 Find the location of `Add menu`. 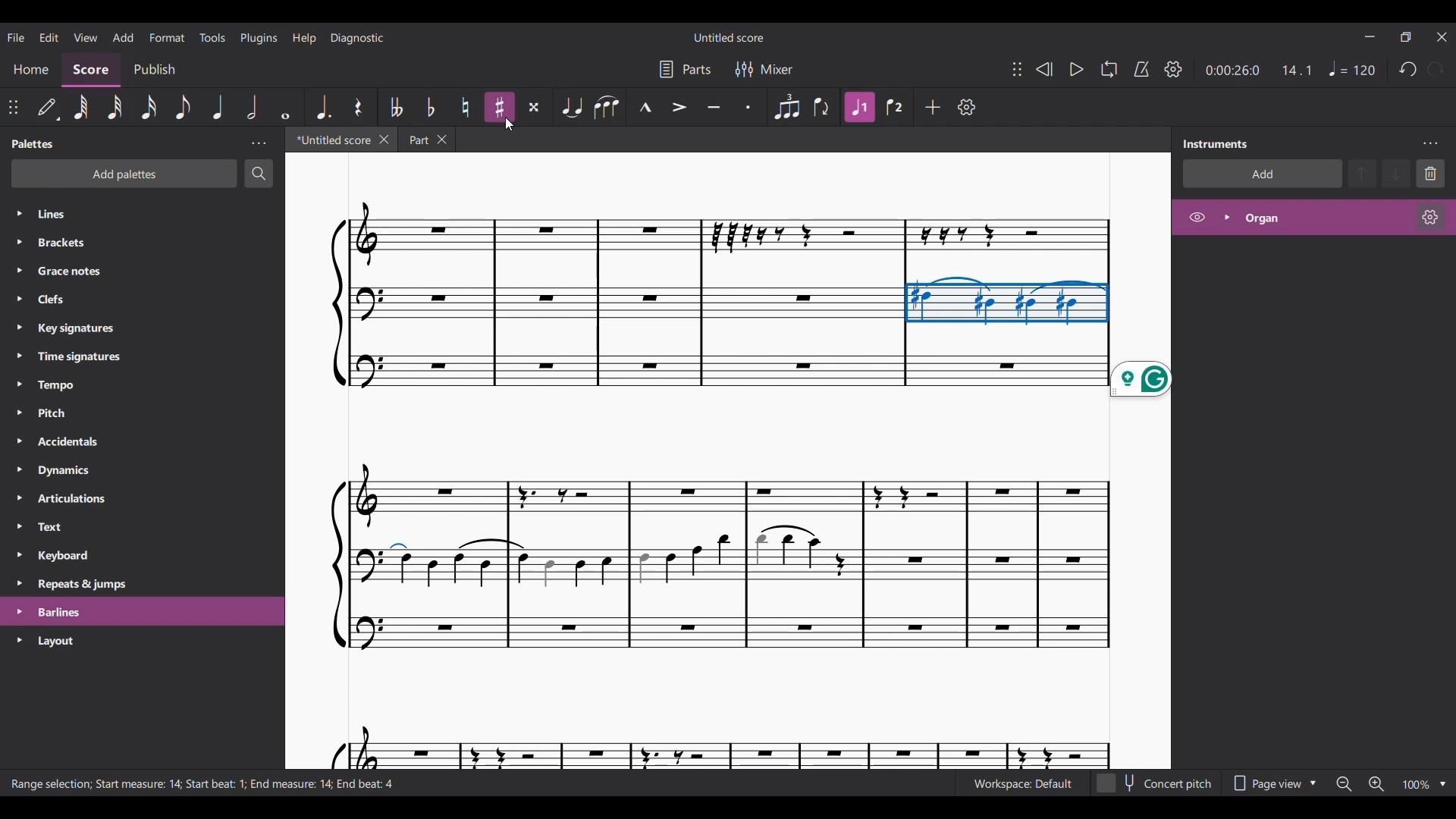

Add menu is located at coordinates (124, 36).